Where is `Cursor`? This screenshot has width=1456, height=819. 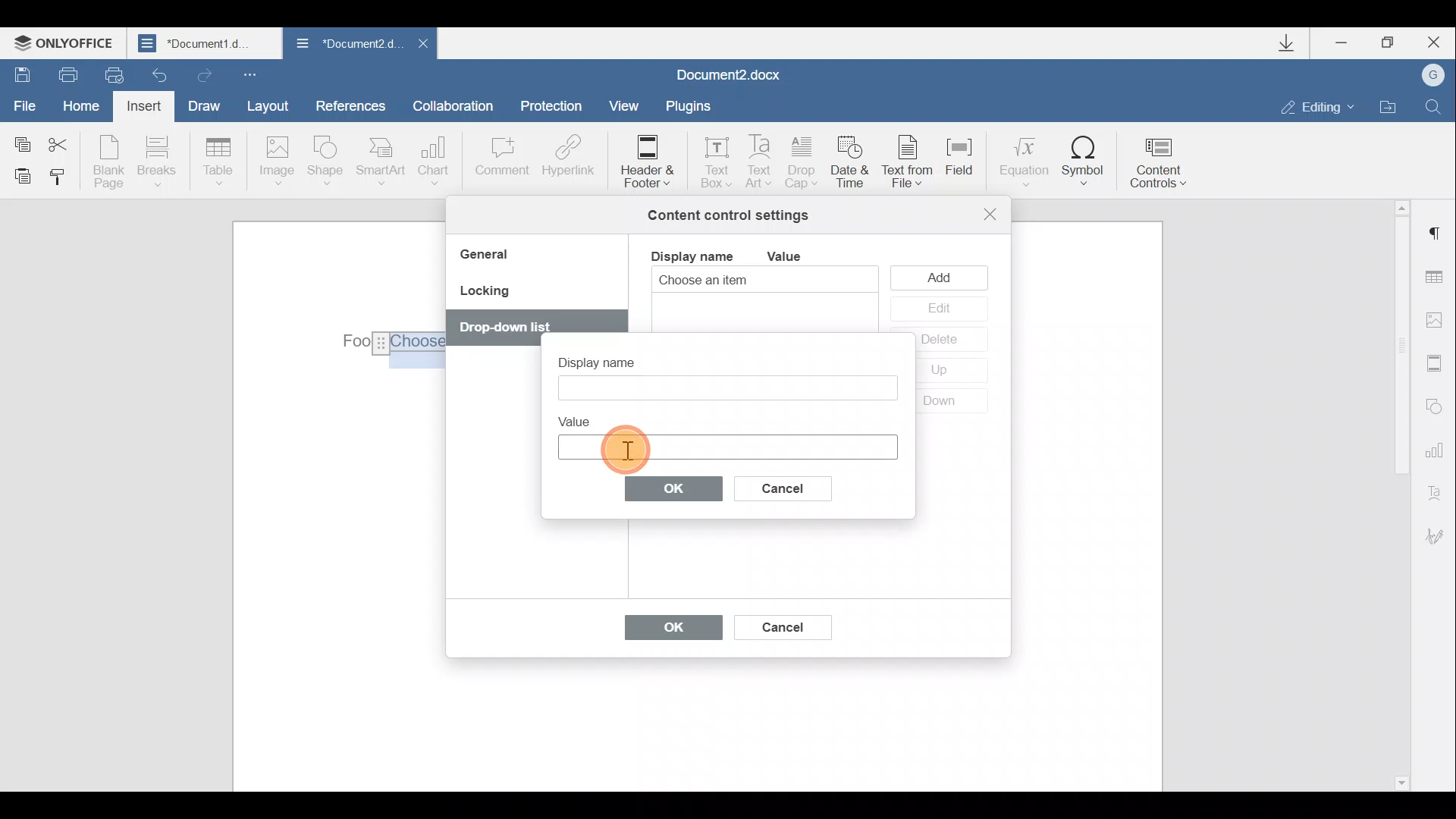
Cursor is located at coordinates (624, 444).